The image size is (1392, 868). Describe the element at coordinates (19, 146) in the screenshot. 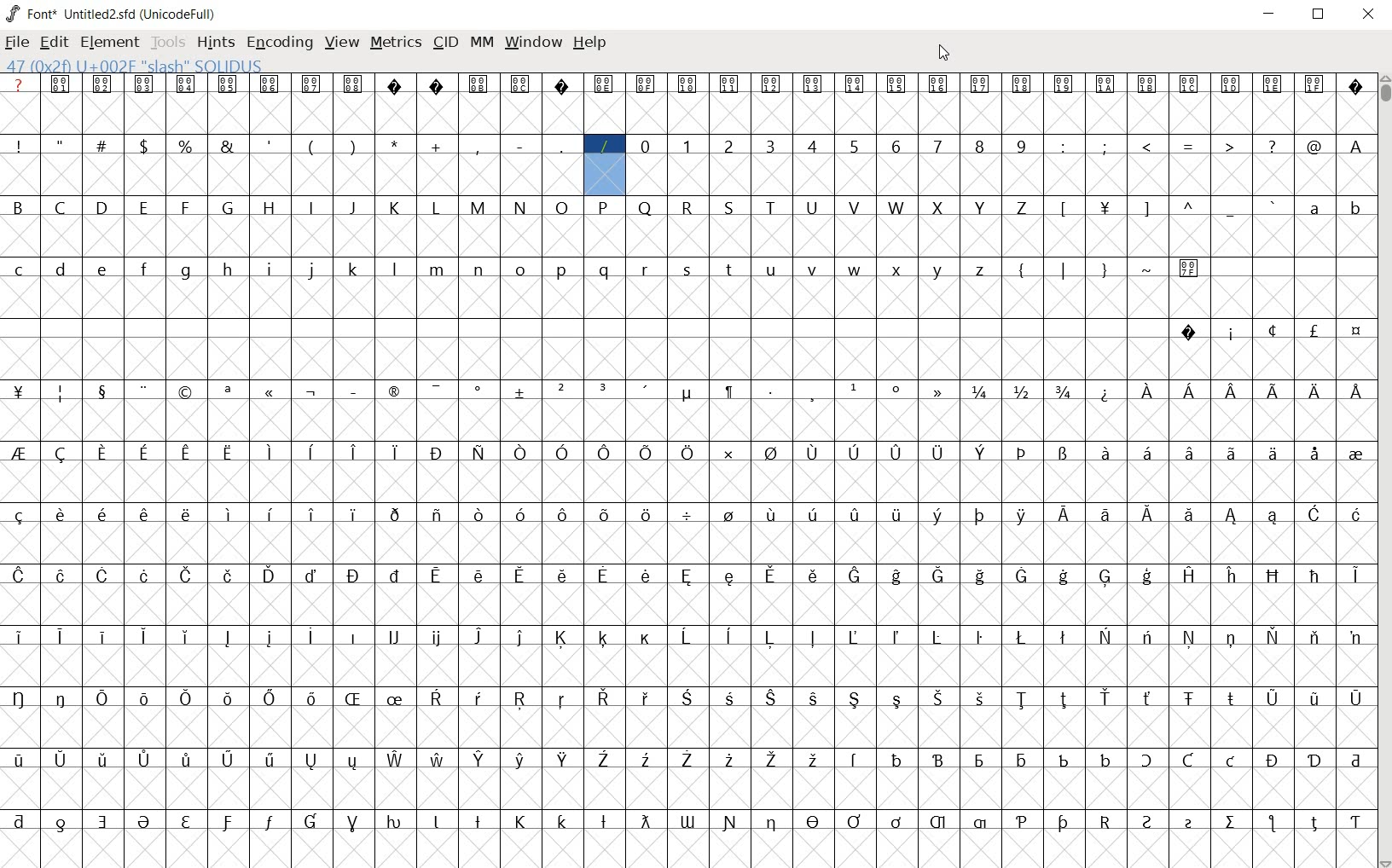

I see `glyph` at that location.